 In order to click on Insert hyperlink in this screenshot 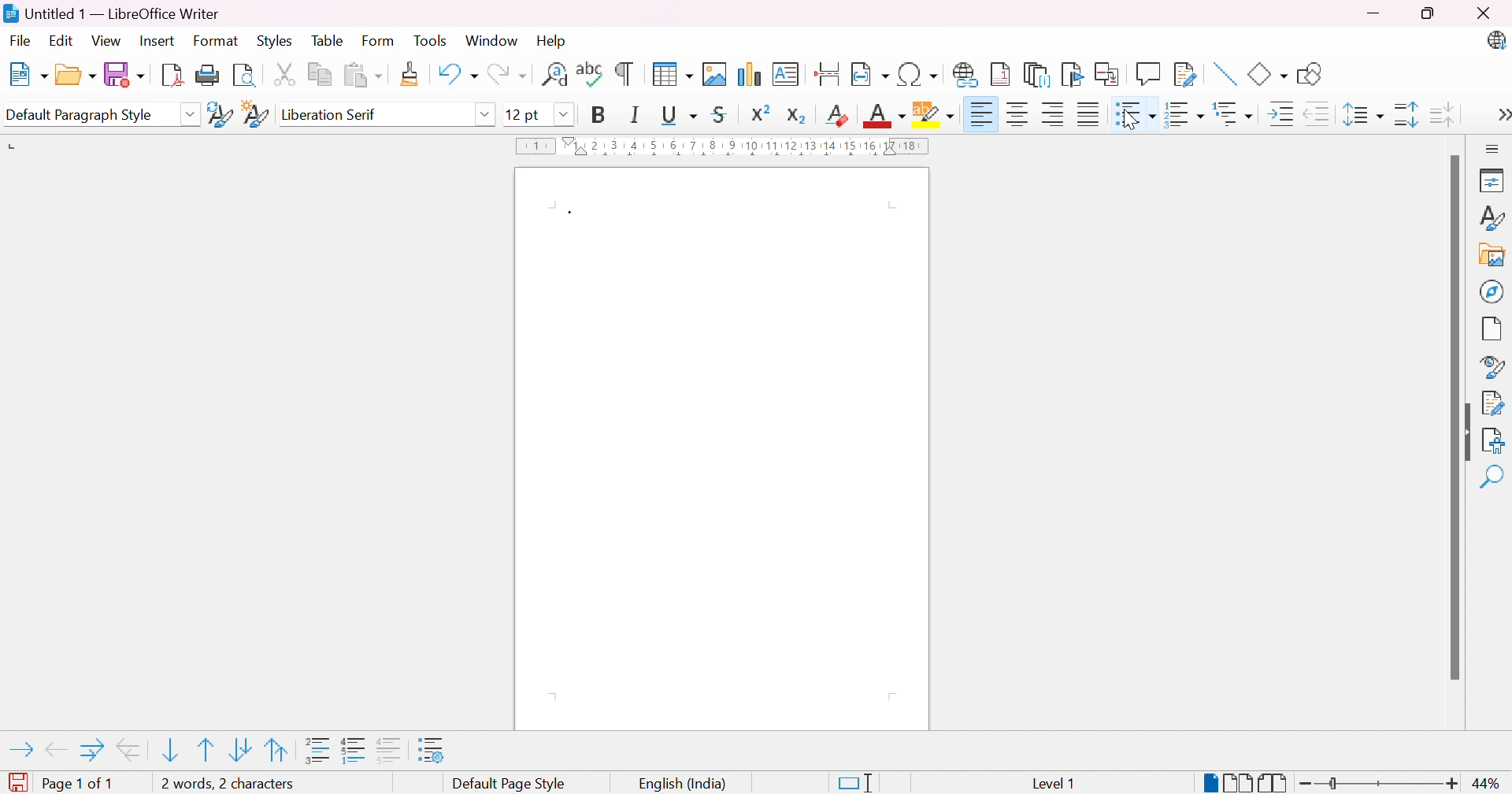, I will do `click(966, 76)`.